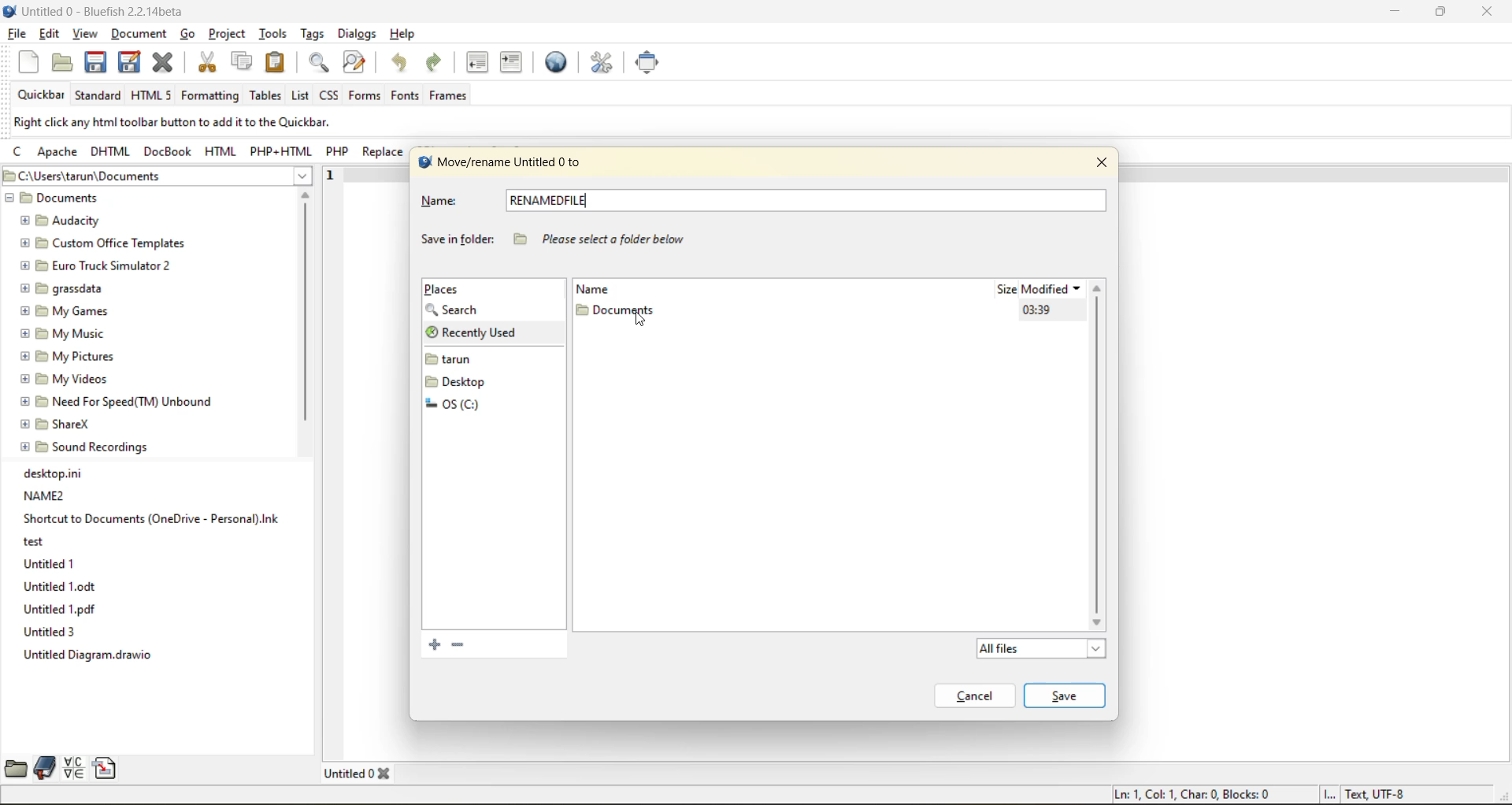  Describe the element at coordinates (102, 95) in the screenshot. I see `standard` at that location.